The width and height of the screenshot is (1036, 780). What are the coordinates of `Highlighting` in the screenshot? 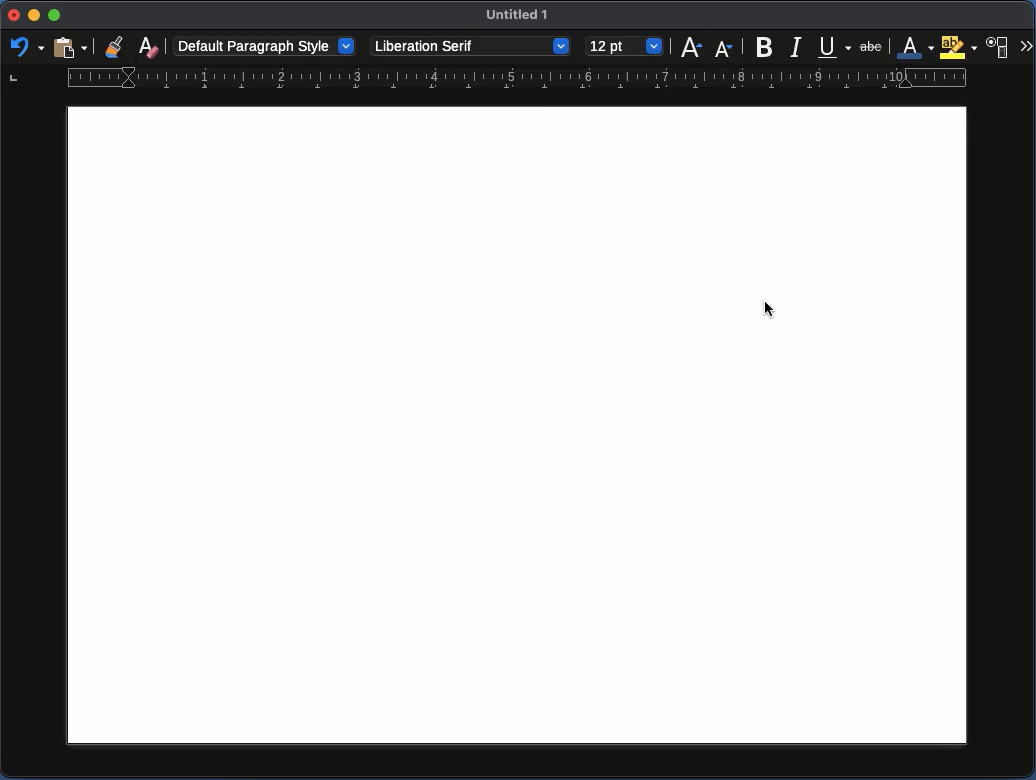 It's located at (960, 47).